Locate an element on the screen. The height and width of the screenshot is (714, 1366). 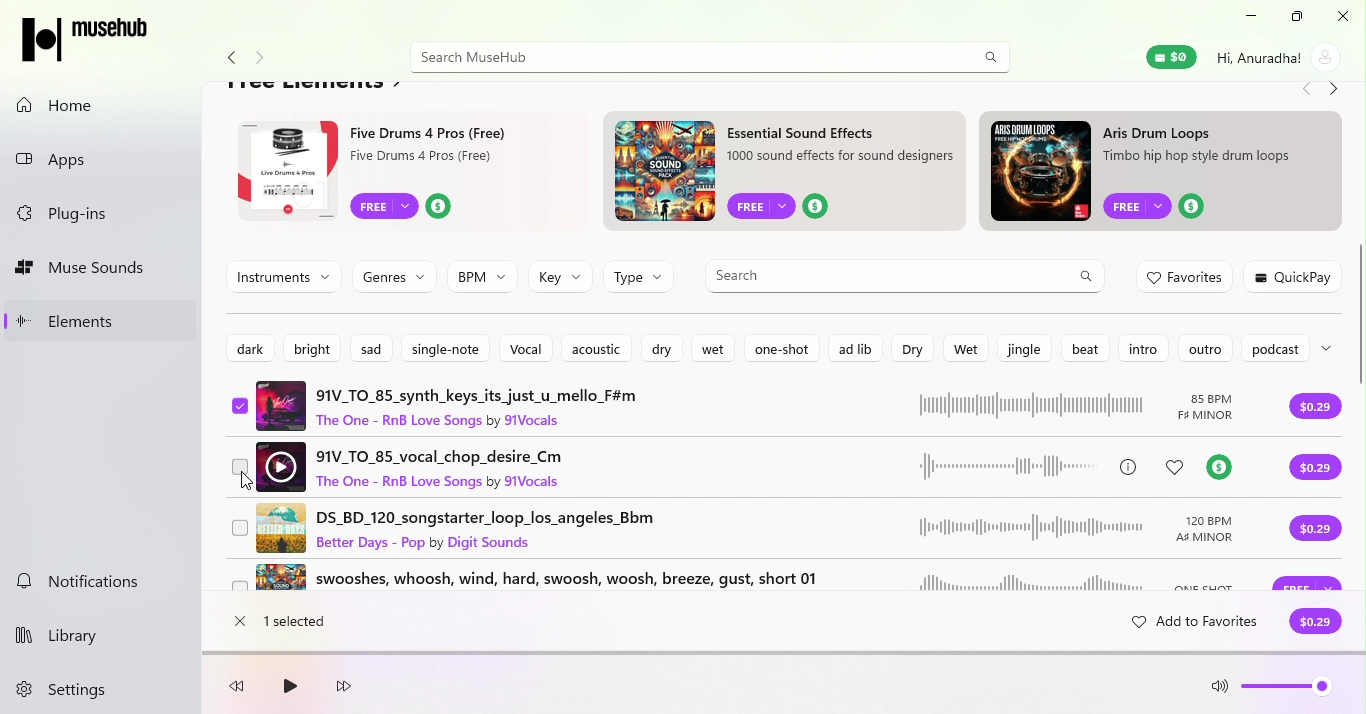
Account is located at coordinates (1277, 57).